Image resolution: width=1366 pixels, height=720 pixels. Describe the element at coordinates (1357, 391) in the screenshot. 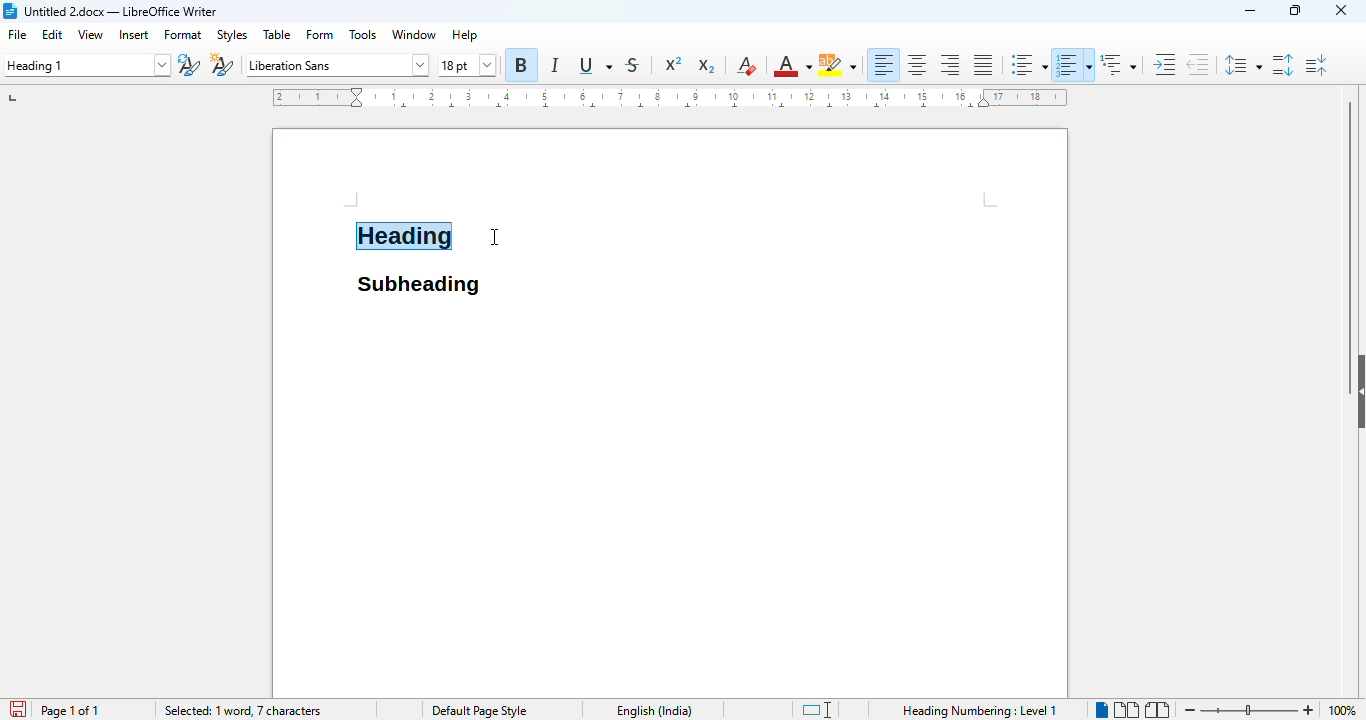

I see `show` at that location.